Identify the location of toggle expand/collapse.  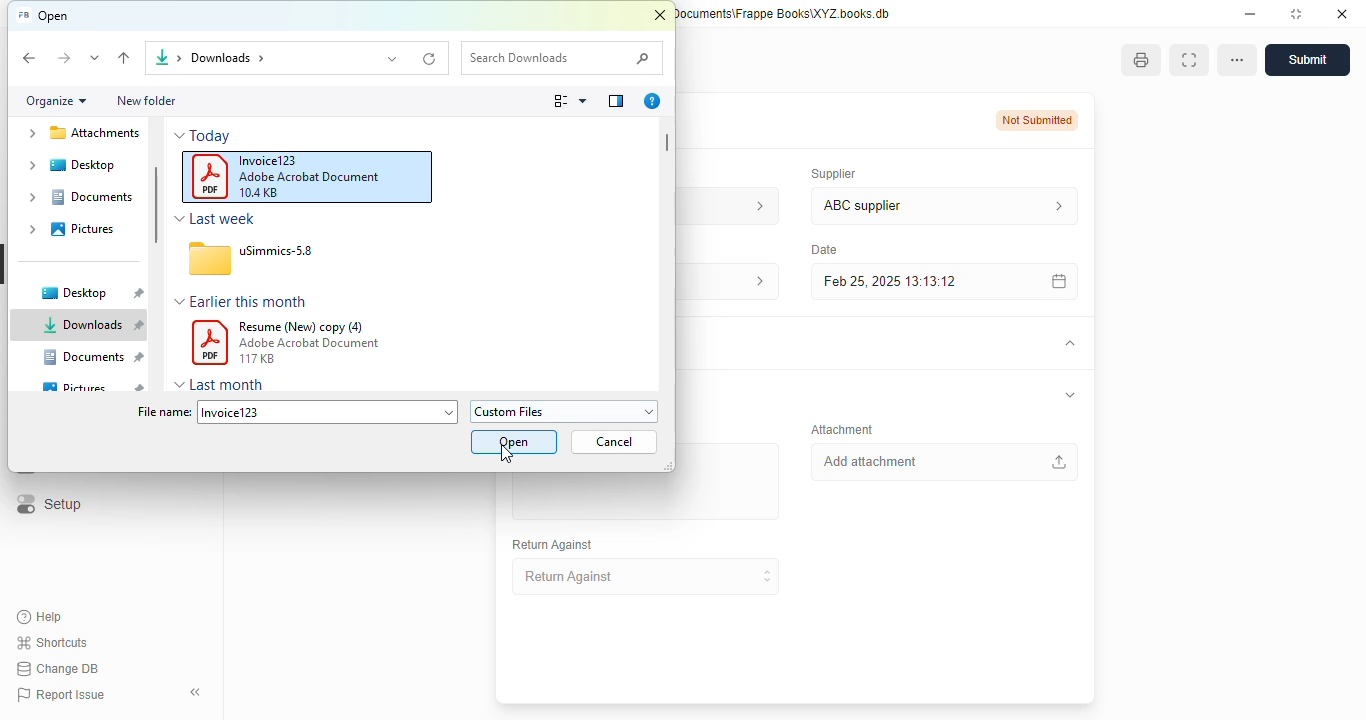
(1070, 395).